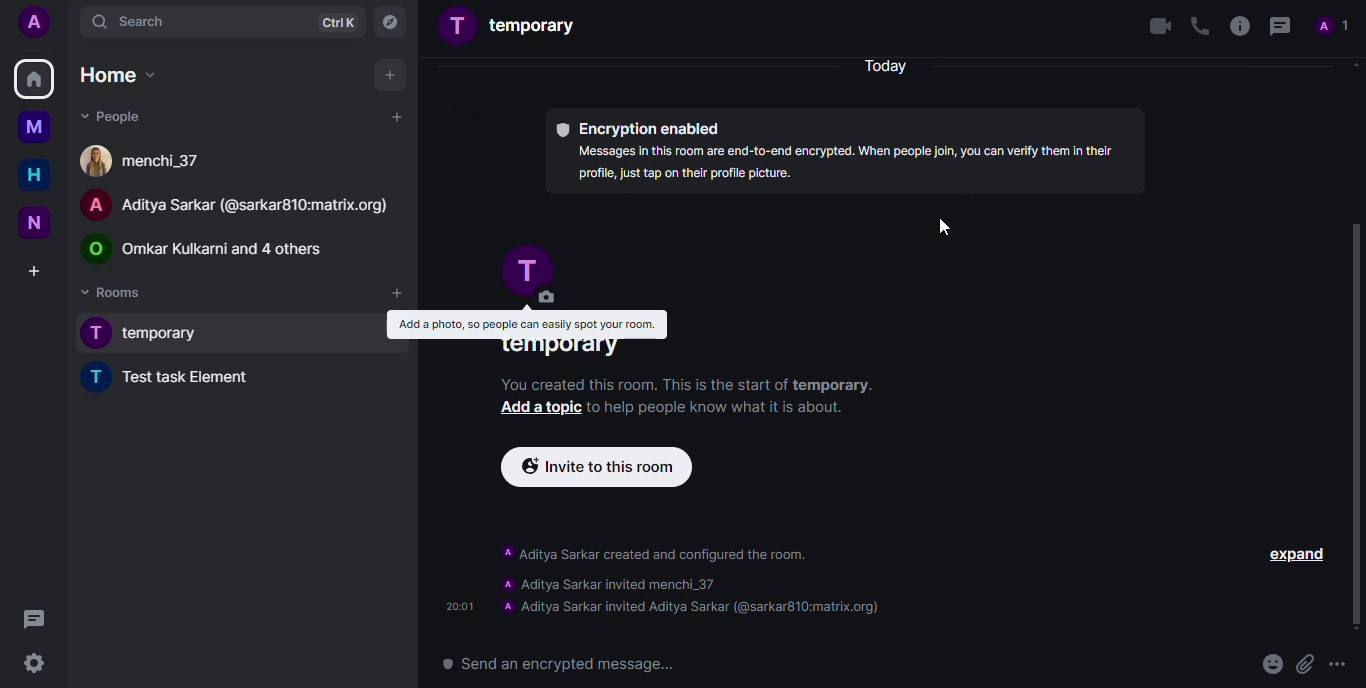  I want to click on invite to this rookm, so click(609, 471).